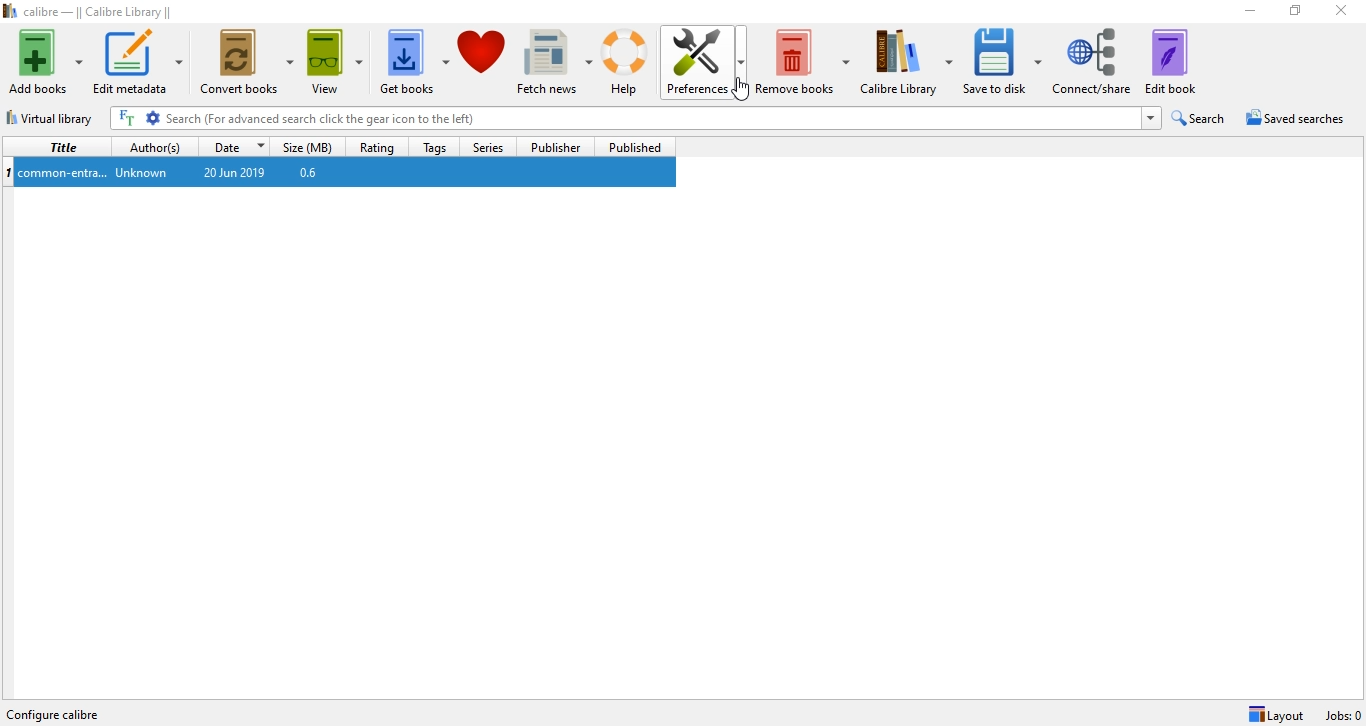 The width and height of the screenshot is (1366, 726). What do you see at coordinates (44, 62) in the screenshot?
I see `Add books` at bounding box center [44, 62].